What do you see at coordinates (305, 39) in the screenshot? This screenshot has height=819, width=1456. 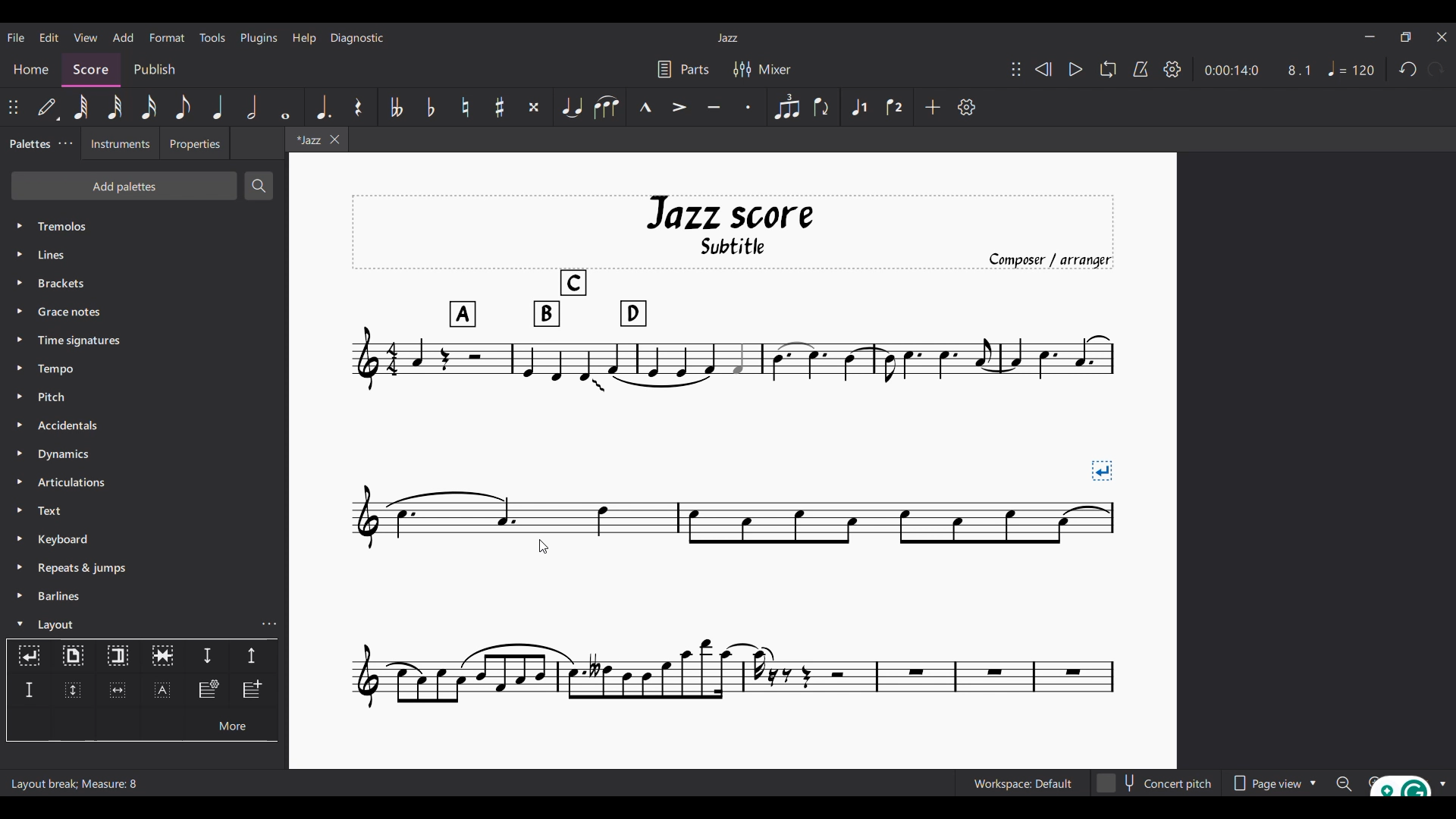 I see `Help menu` at bounding box center [305, 39].